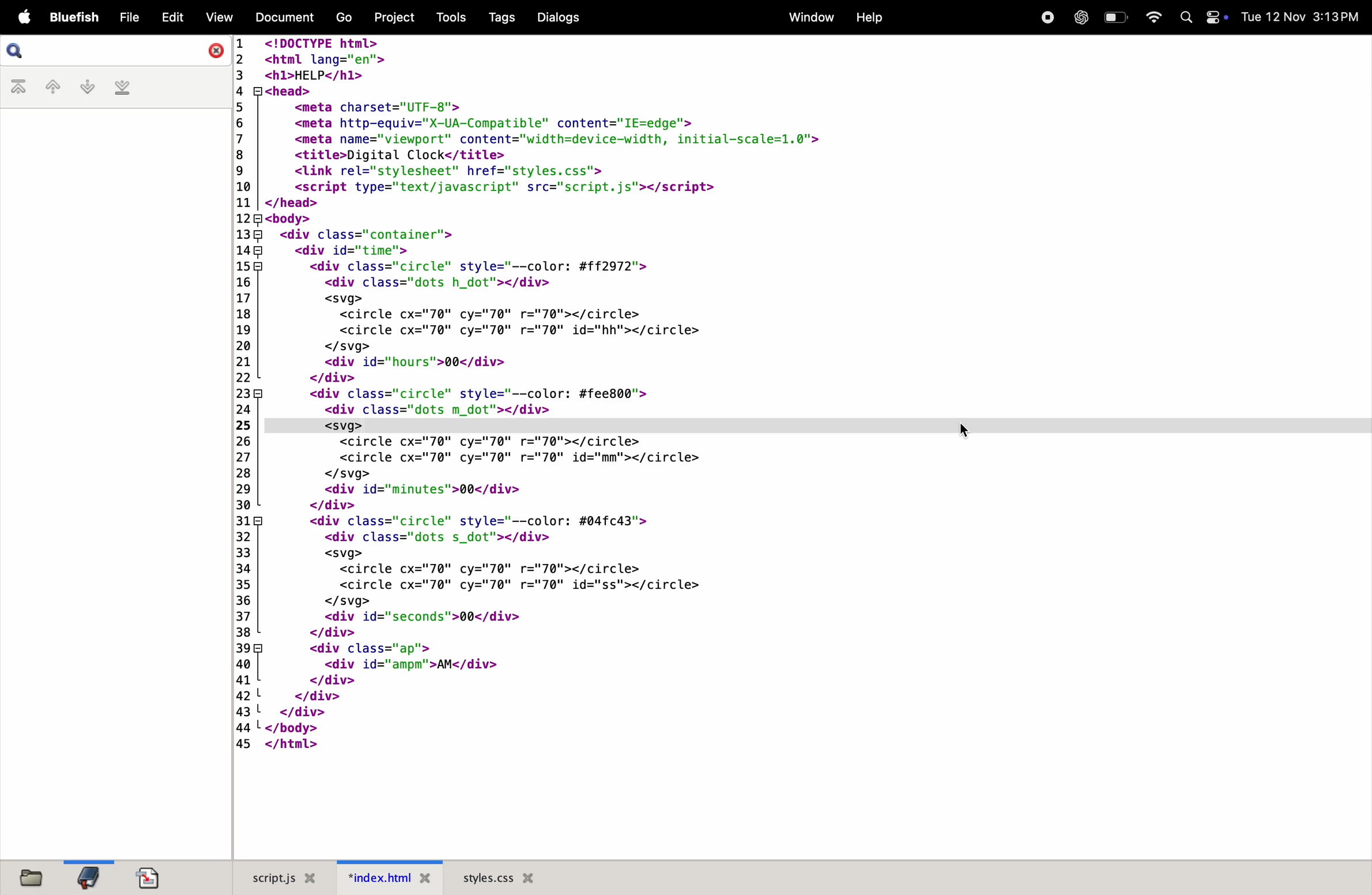  I want to click on window, so click(807, 17).